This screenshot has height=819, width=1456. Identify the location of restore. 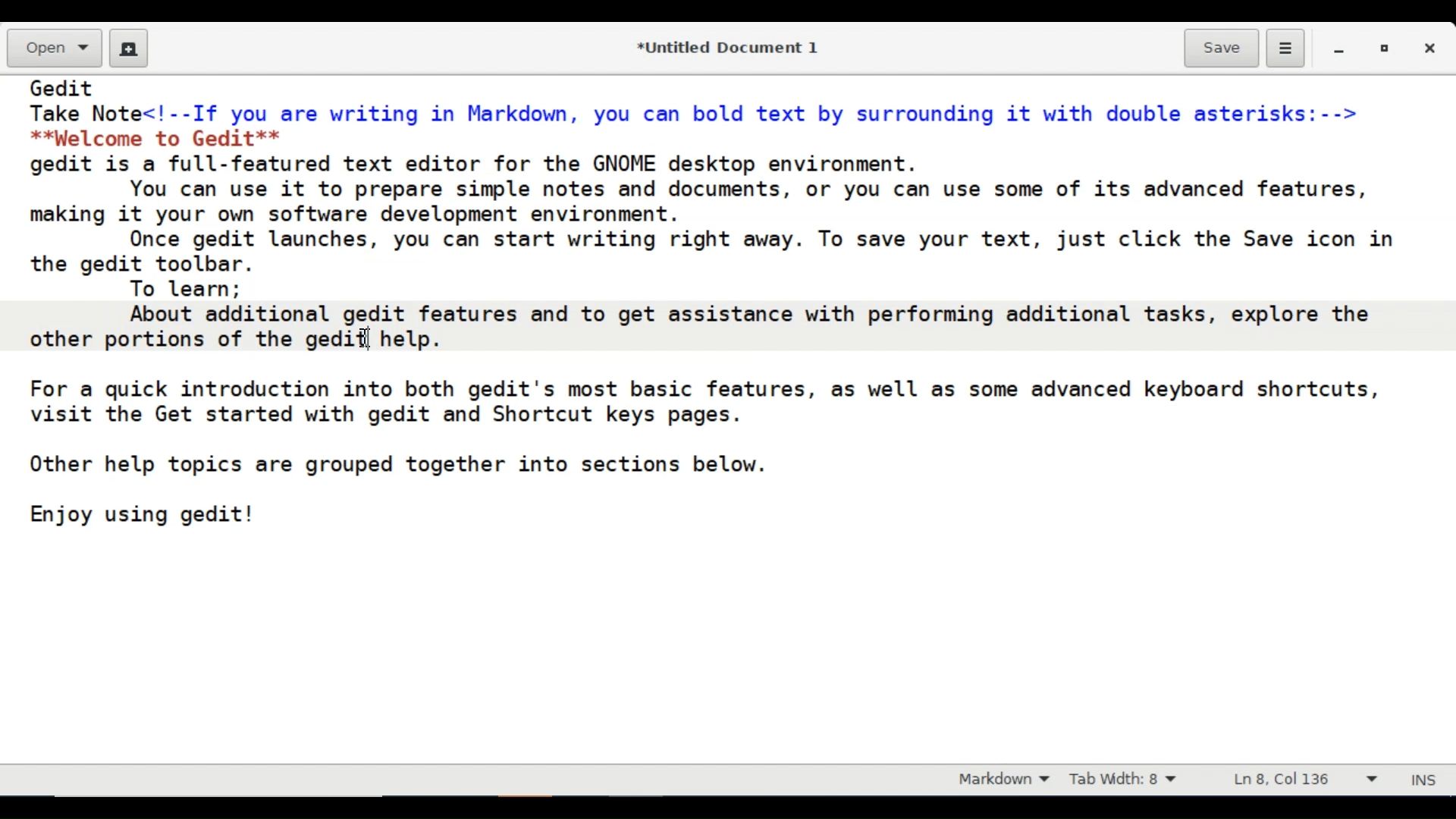
(1382, 48).